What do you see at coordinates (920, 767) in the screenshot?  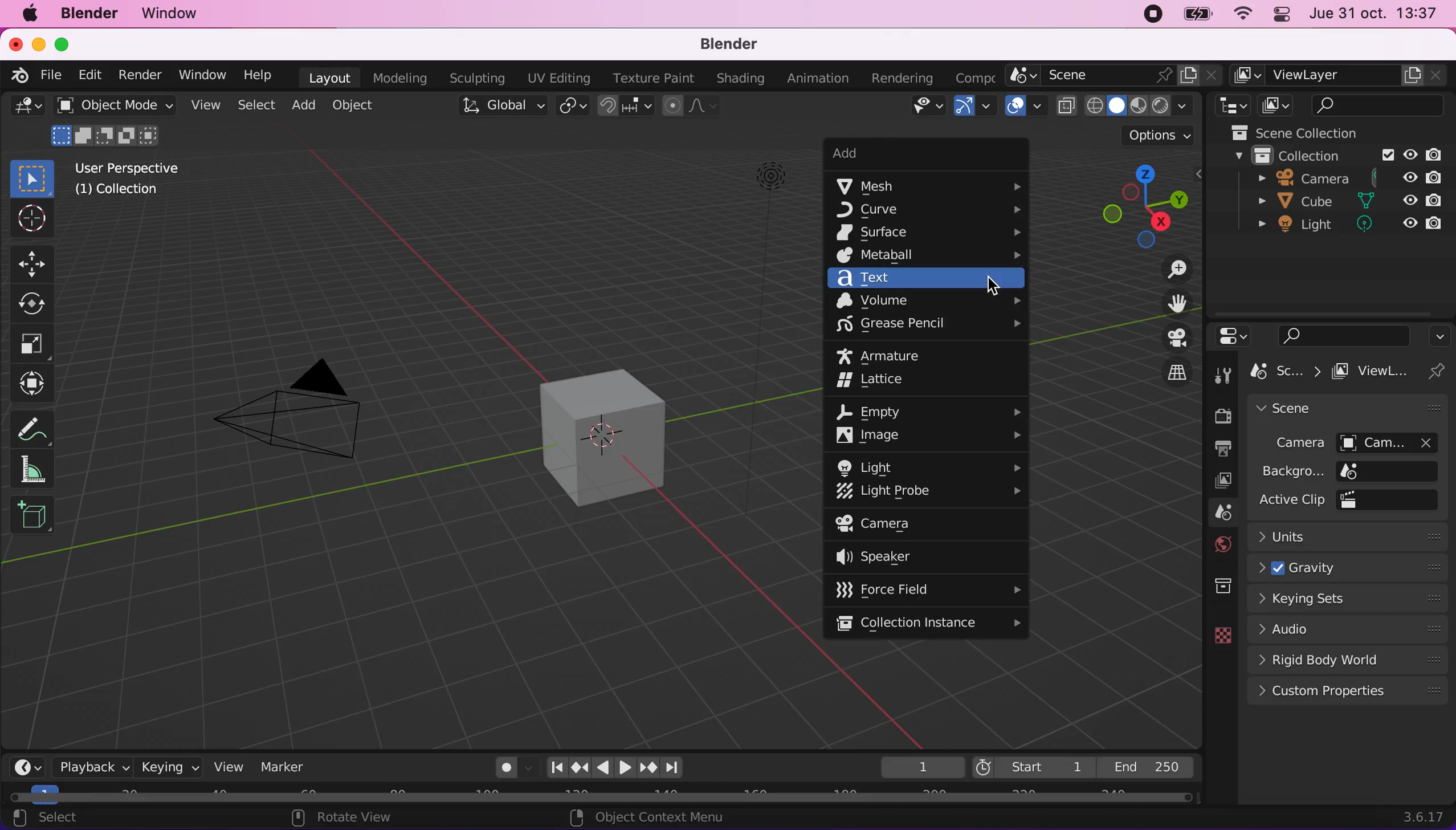 I see `current frame` at bounding box center [920, 767].